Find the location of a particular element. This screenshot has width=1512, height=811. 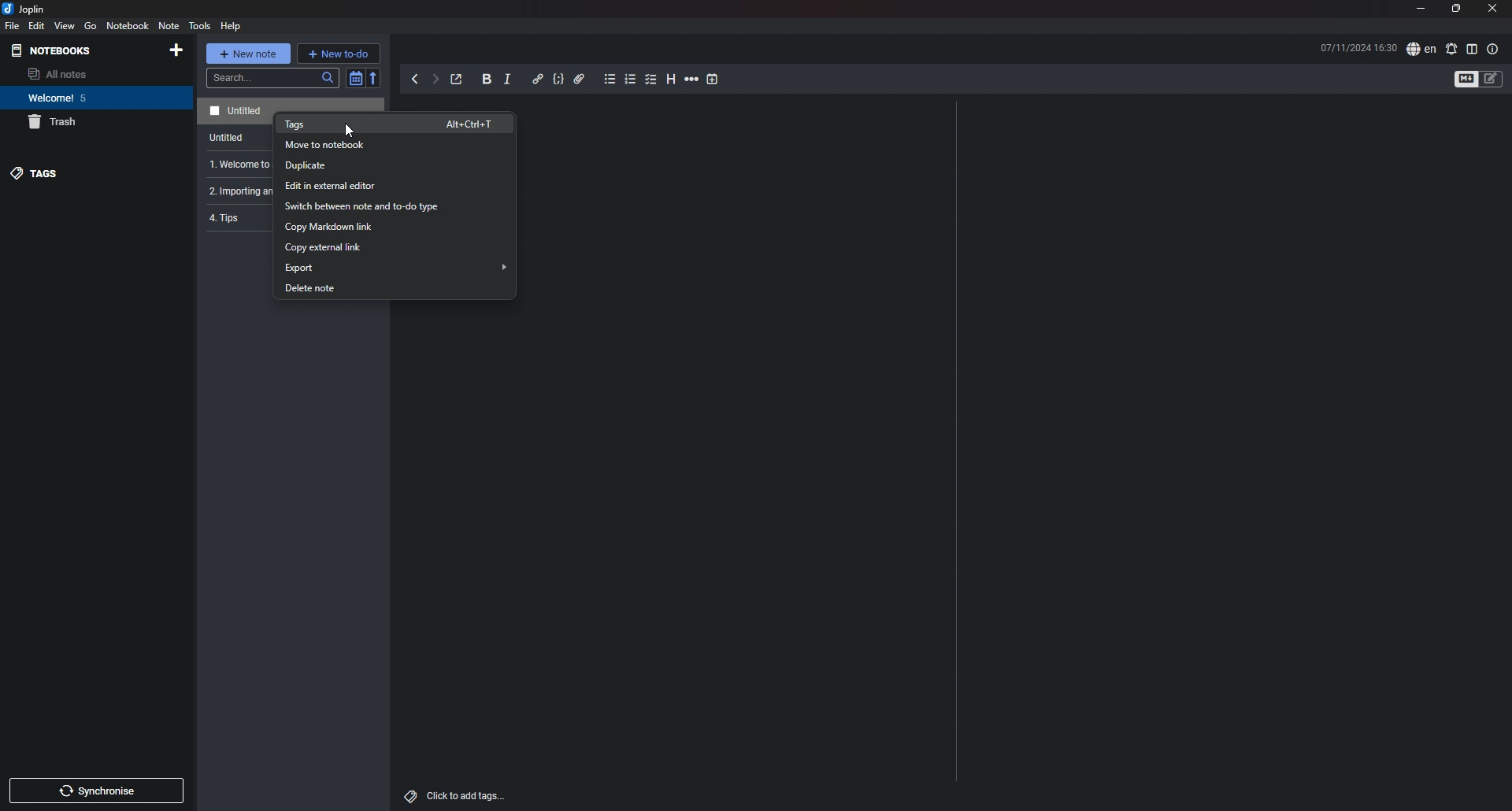

checkbox is located at coordinates (651, 80).